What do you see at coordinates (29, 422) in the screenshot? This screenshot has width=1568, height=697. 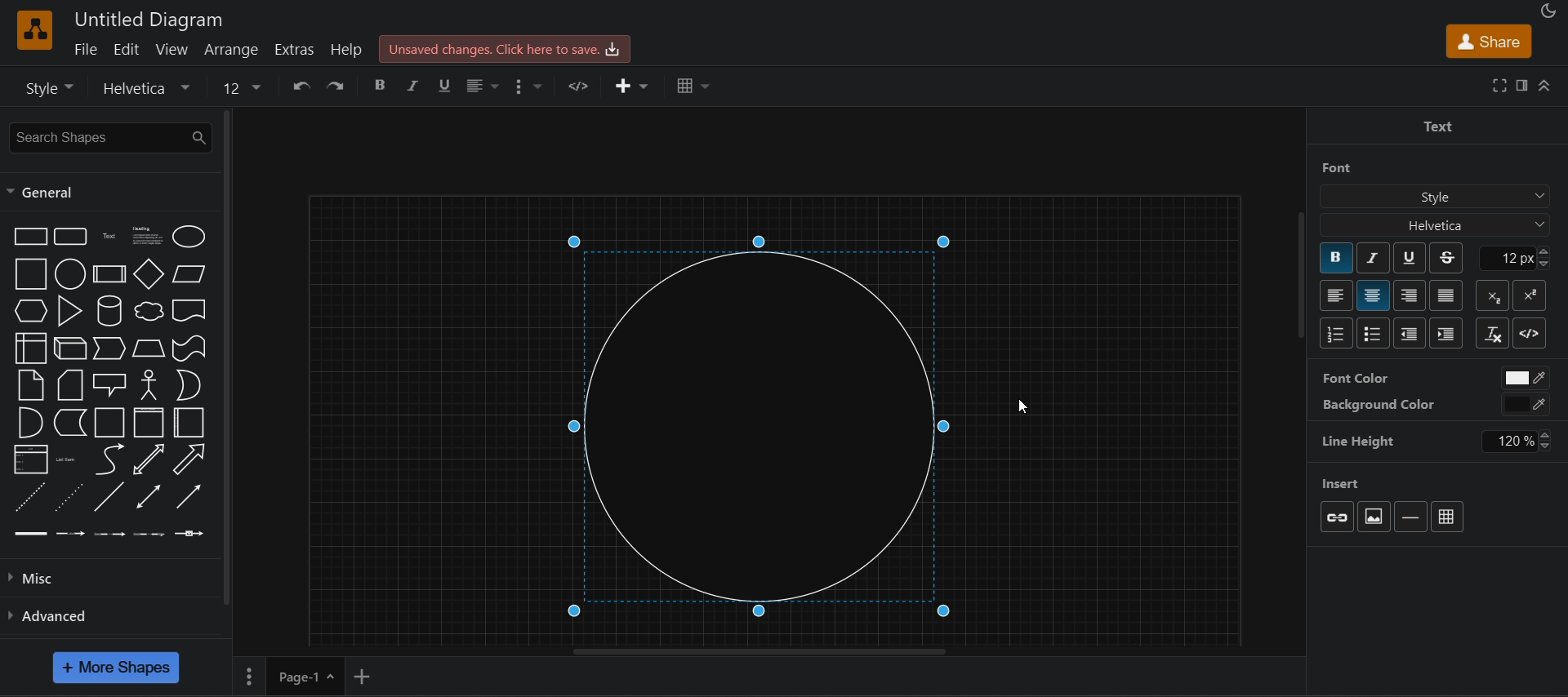 I see `and` at bounding box center [29, 422].